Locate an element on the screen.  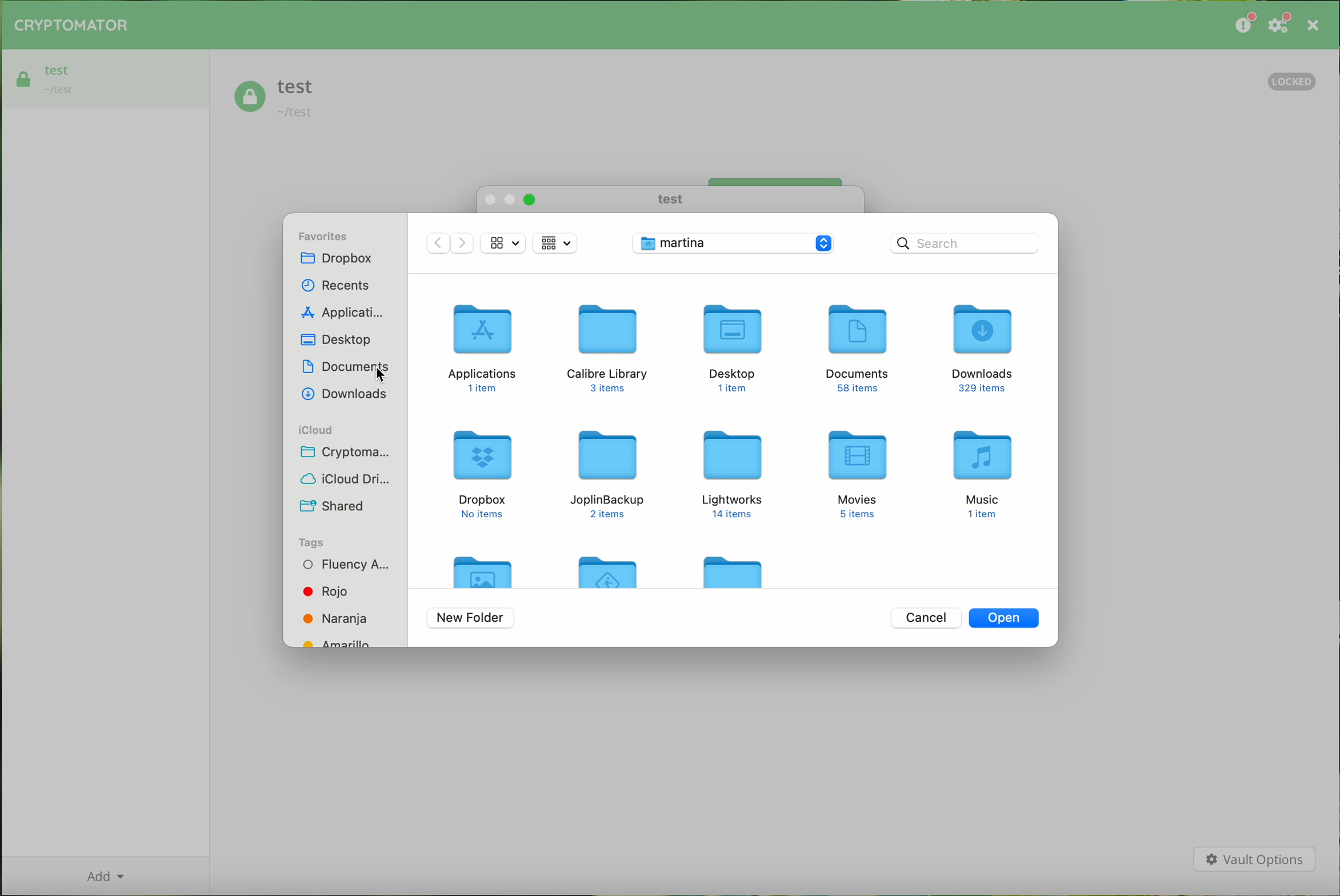
downloads is located at coordinates (343, 395).